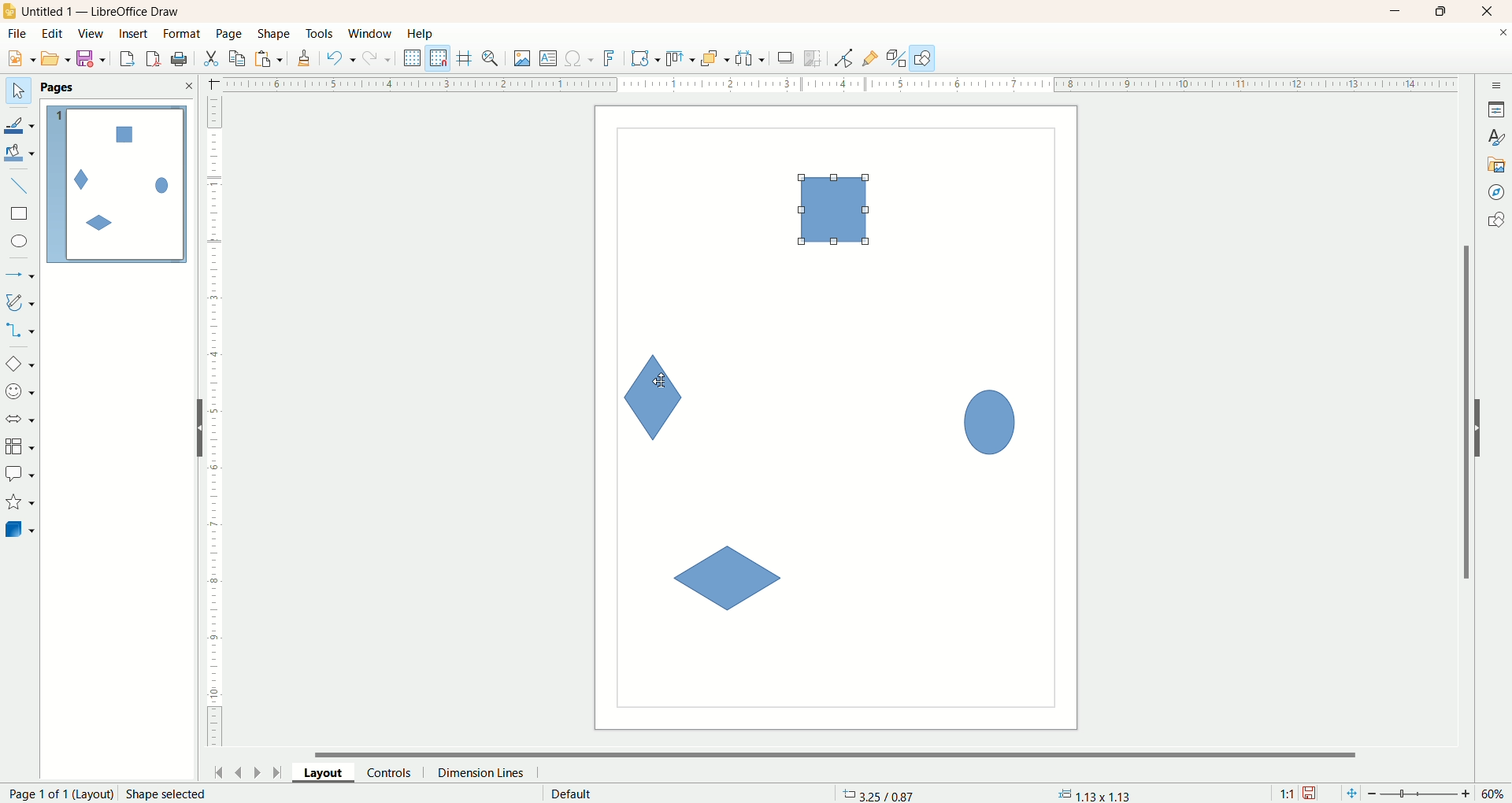 The height and width of the screenshot is (803, 1512). What do you see at coordinates (923, 57) in the screenshot?
I see `draw function` at bounding box center [923, 57].